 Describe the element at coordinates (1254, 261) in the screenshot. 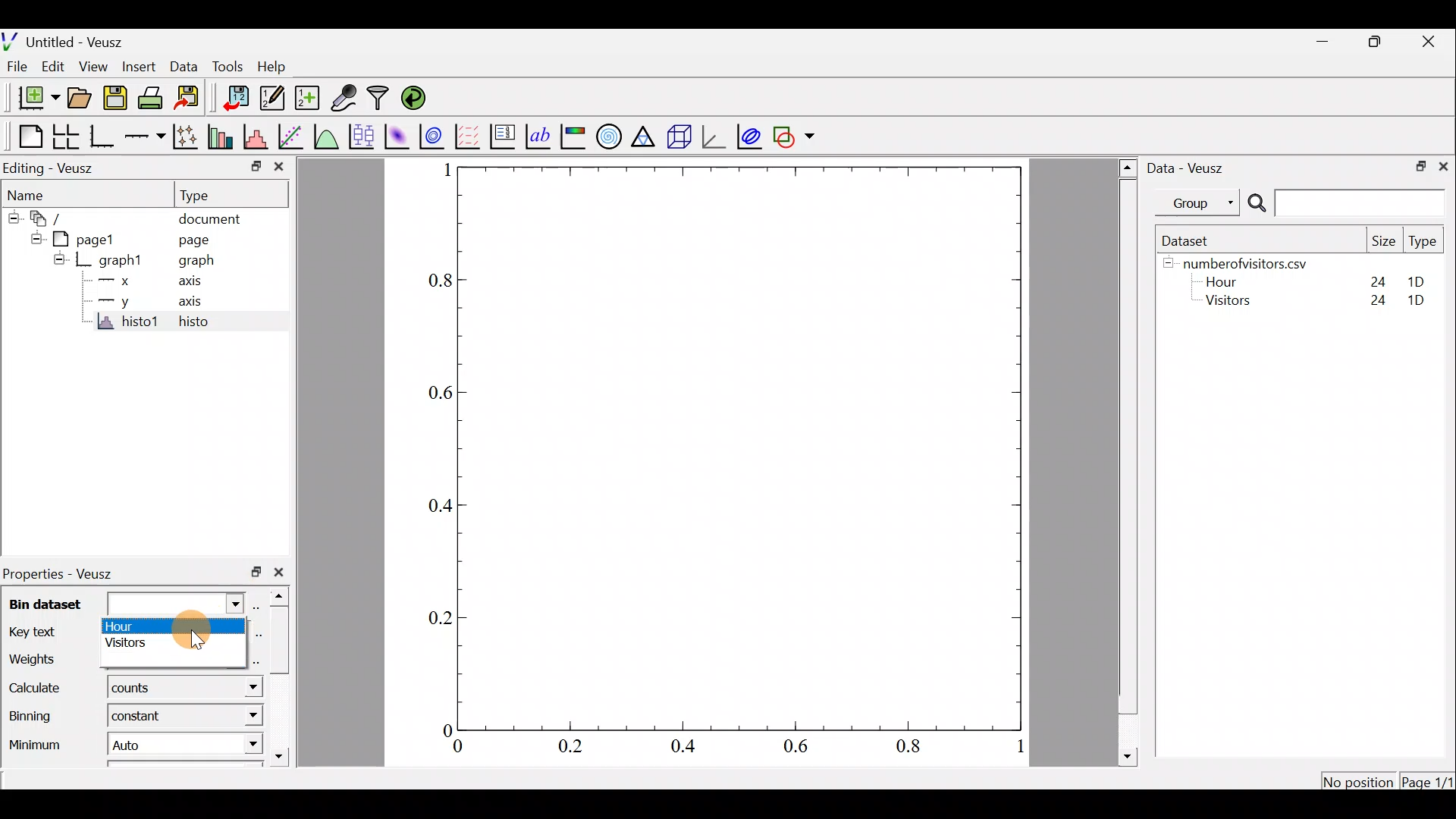

I see `numberofvisitors.csv` at that location.